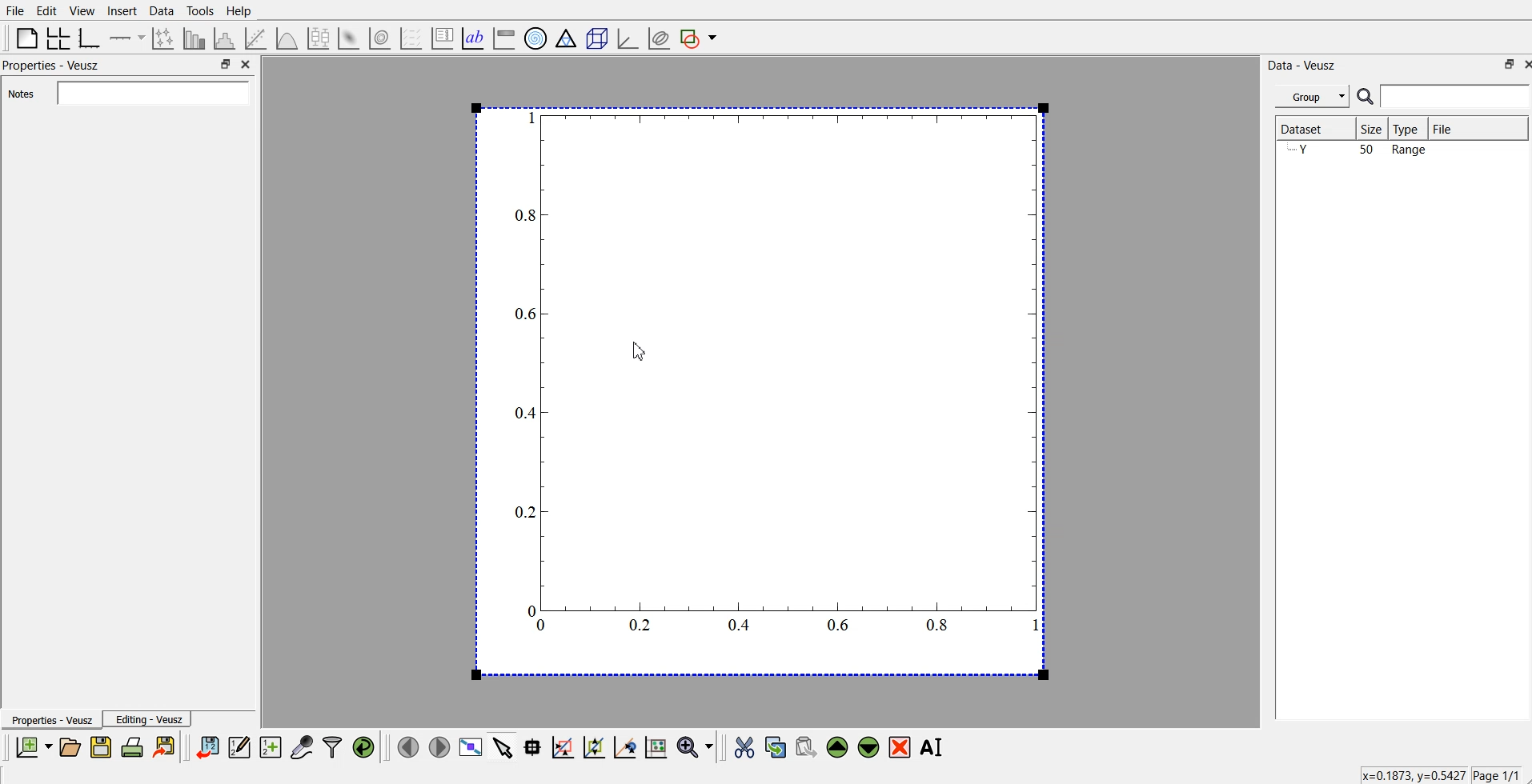  Describe the element at coordinates (35, 746) in the screenshot. I see `new document` at that location.